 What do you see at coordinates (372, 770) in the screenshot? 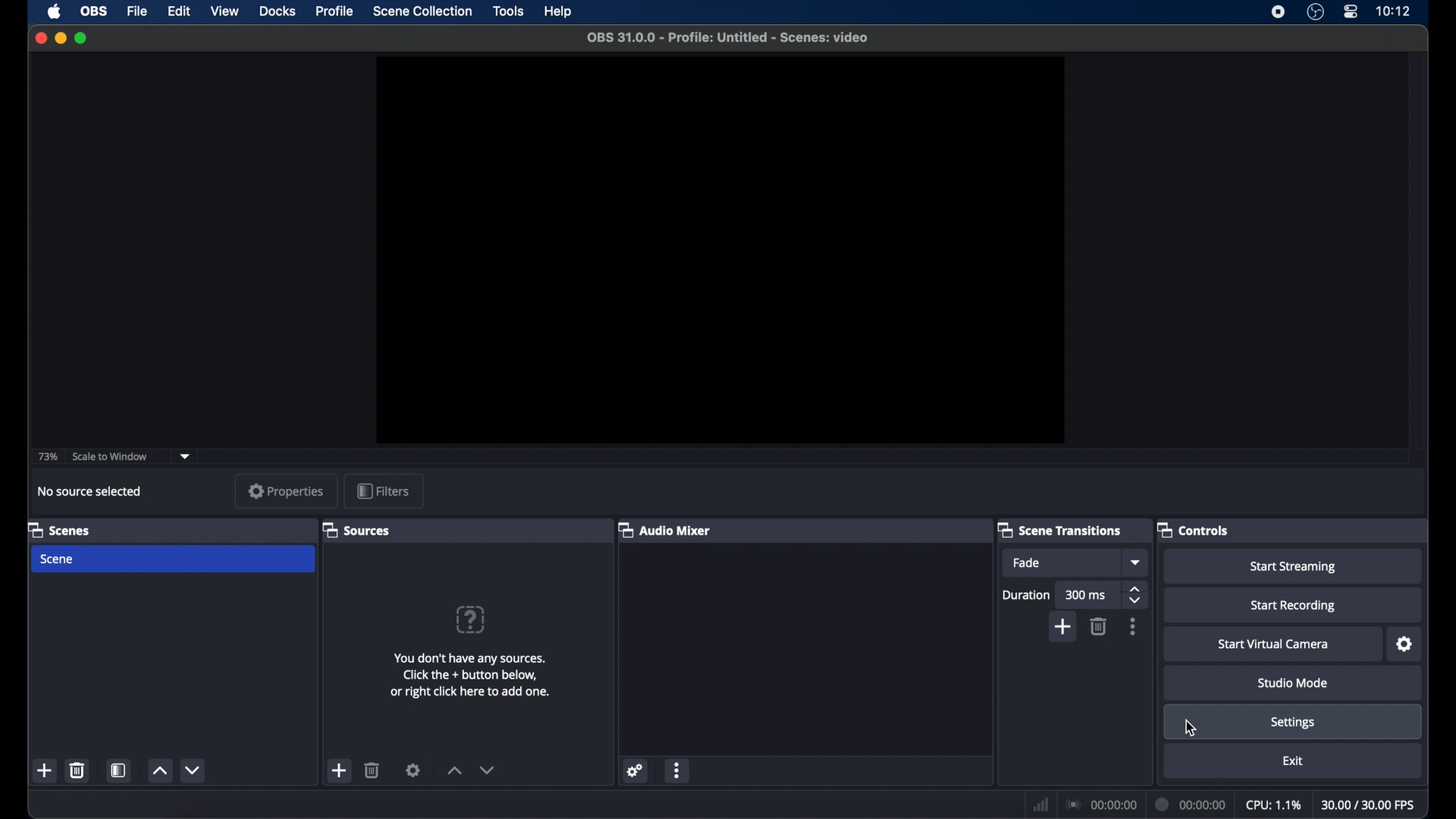
I see `delete` at bounding box center [372, 770].